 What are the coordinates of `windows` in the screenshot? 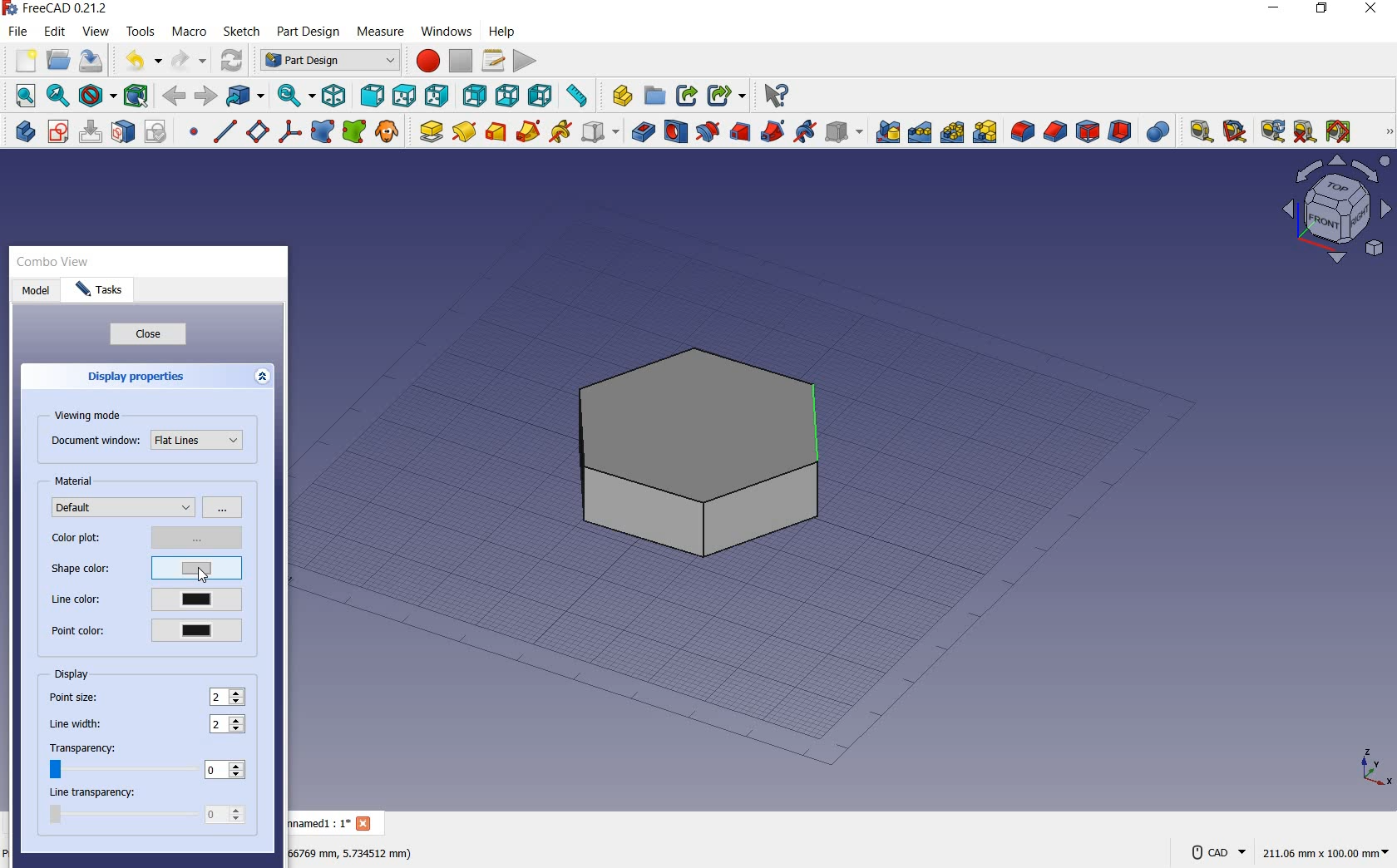 It's located at (447, 34).